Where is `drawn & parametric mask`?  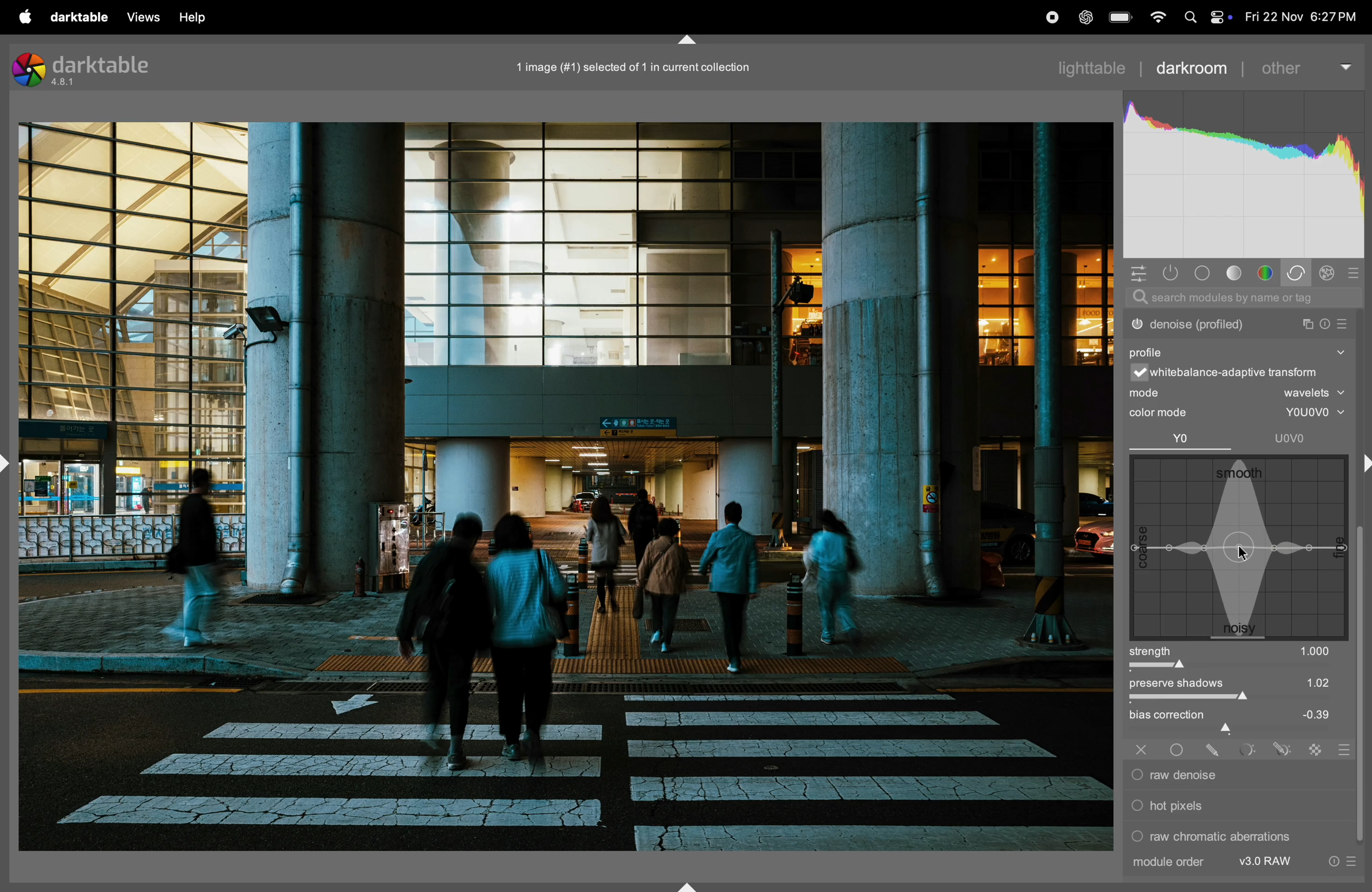 drawn & parametric mask is located at coordinates (1283, 749).